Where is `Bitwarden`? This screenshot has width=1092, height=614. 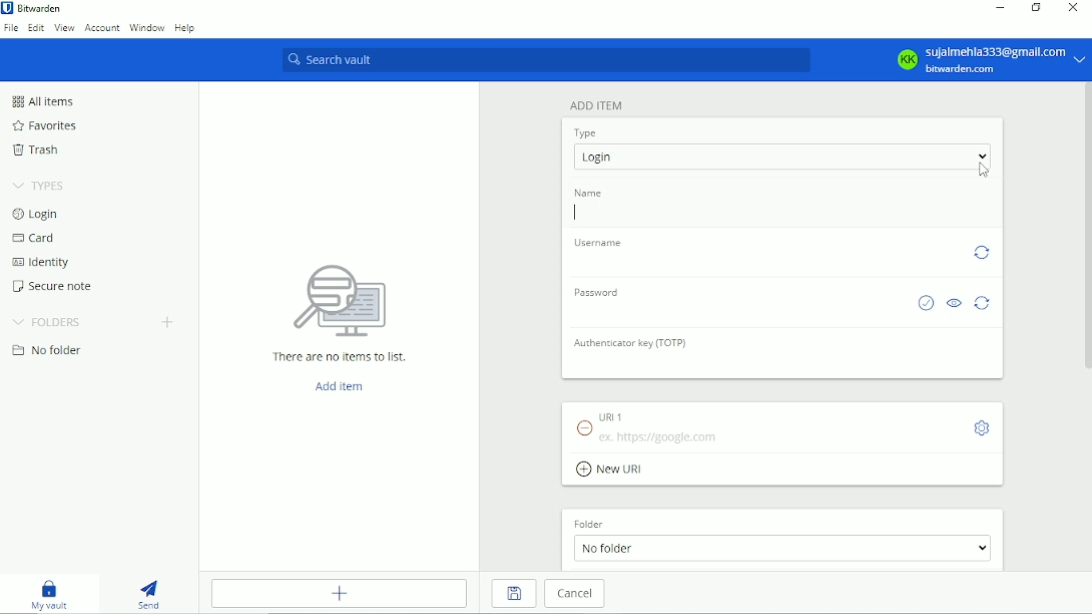
Bitwarden is located at coordinates (35, 8).